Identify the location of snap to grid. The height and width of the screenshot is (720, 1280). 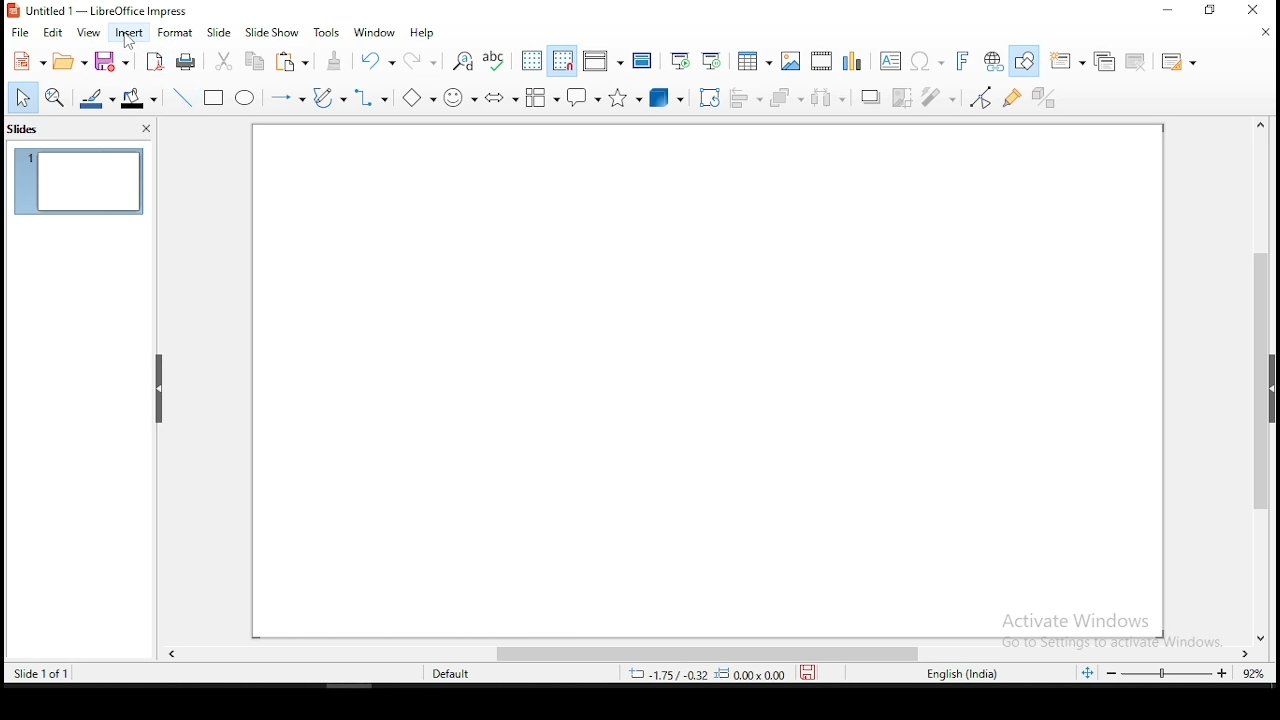
(562, 59).